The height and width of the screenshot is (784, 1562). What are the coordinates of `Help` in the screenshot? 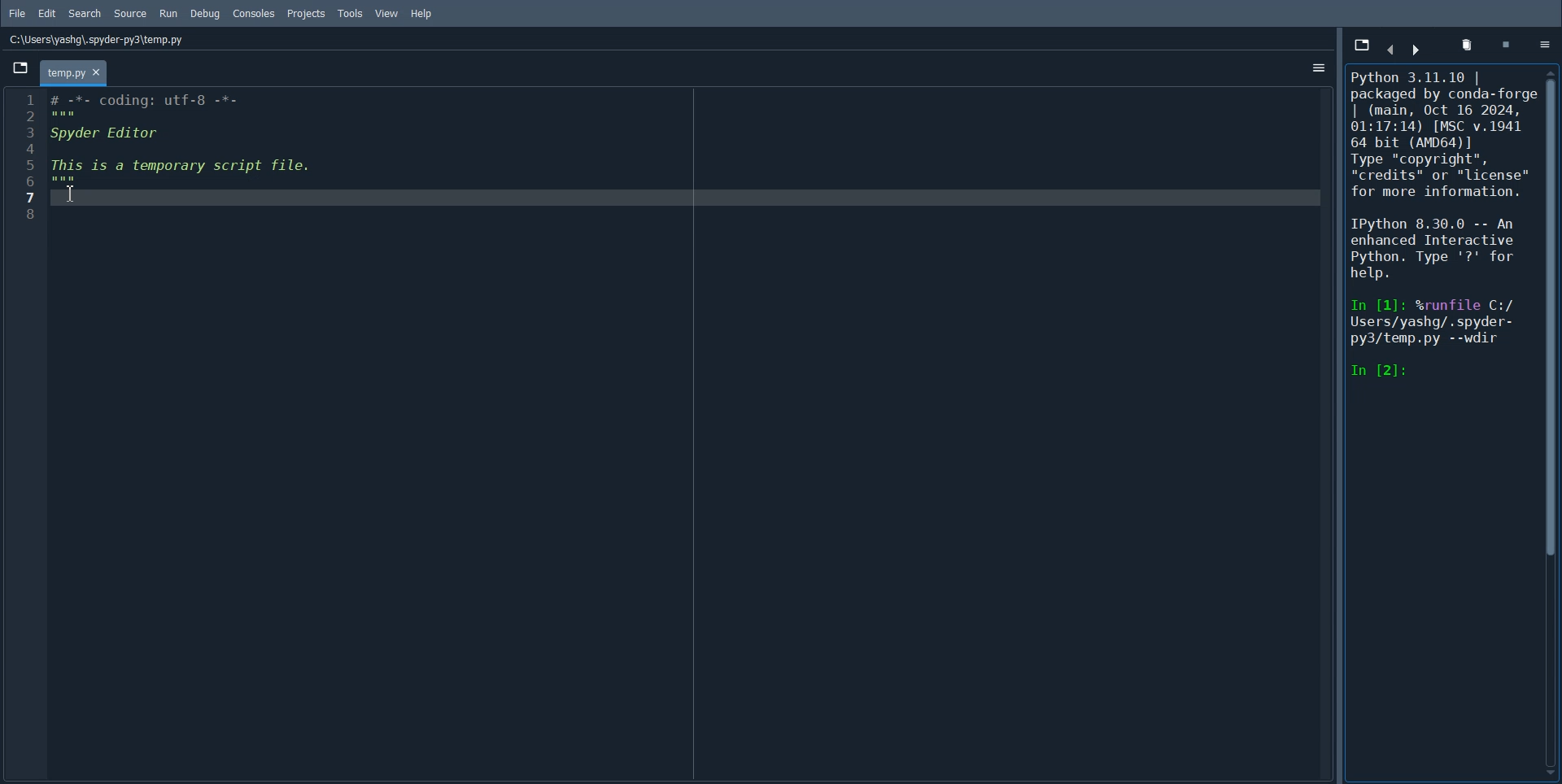 It's located at (421, 13).